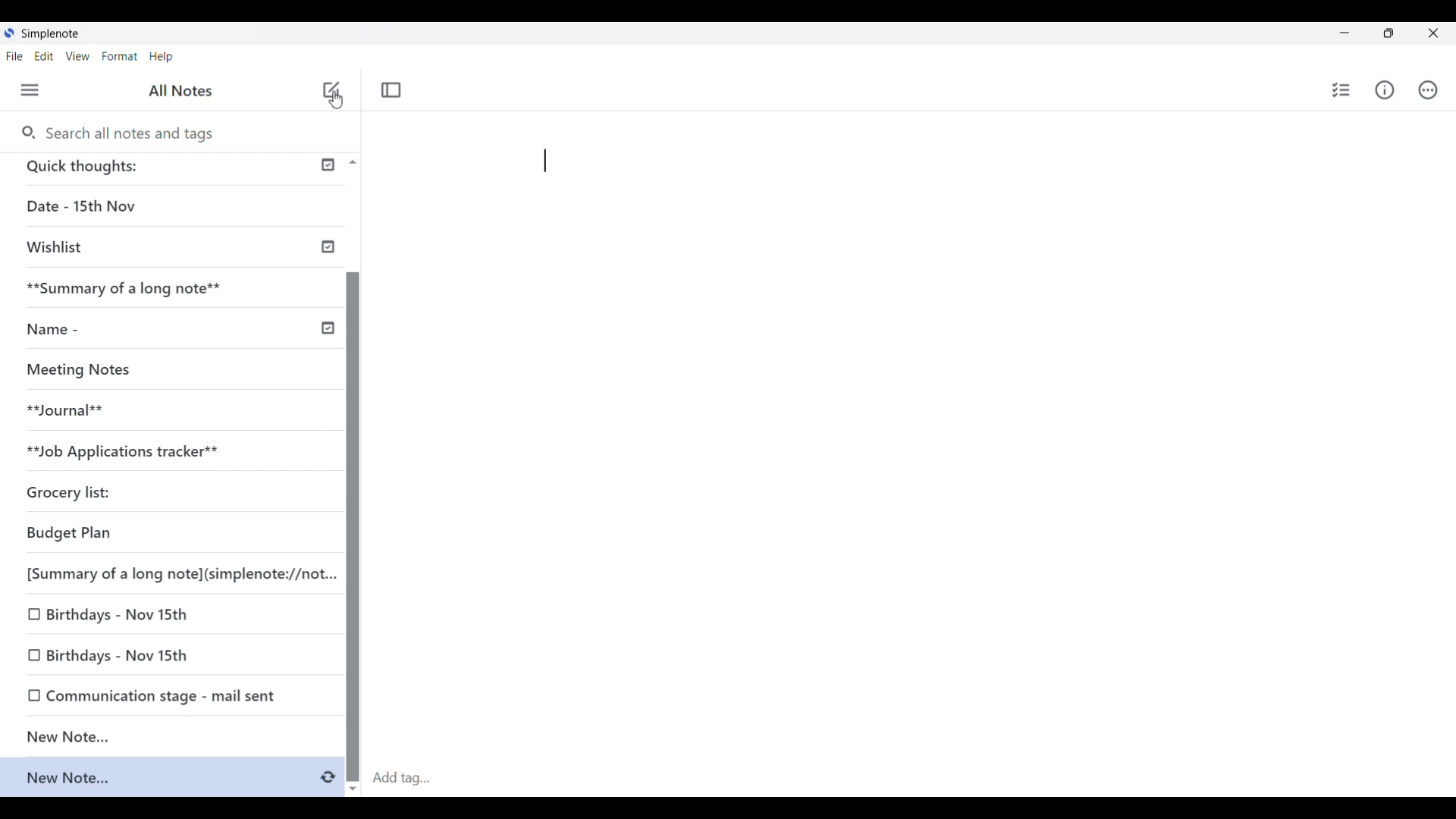 This screenshot has height=819, width=1456. I want to click on Software logo, so click(8, 33).